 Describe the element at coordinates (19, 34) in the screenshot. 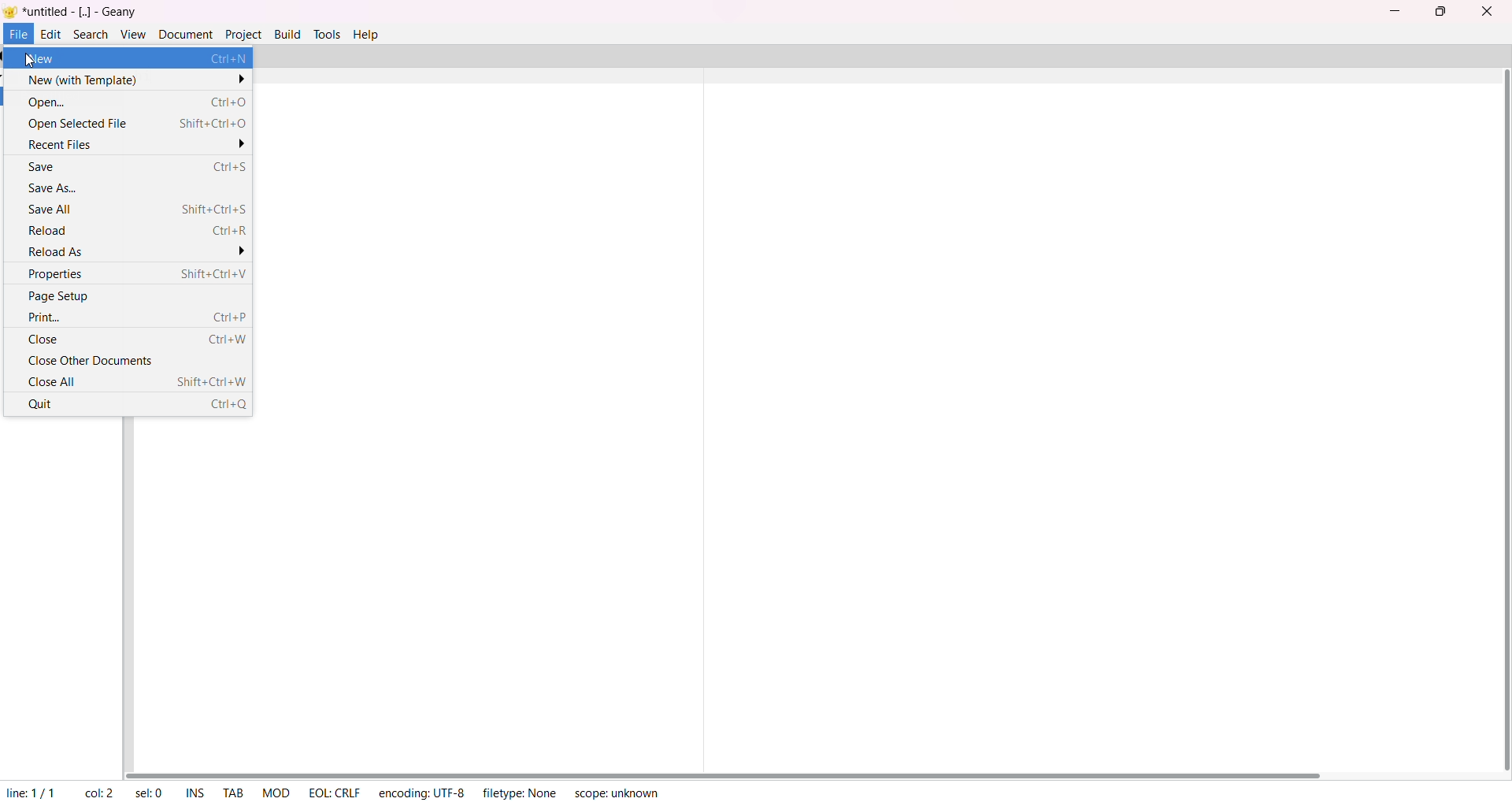

I see `file` at that location.